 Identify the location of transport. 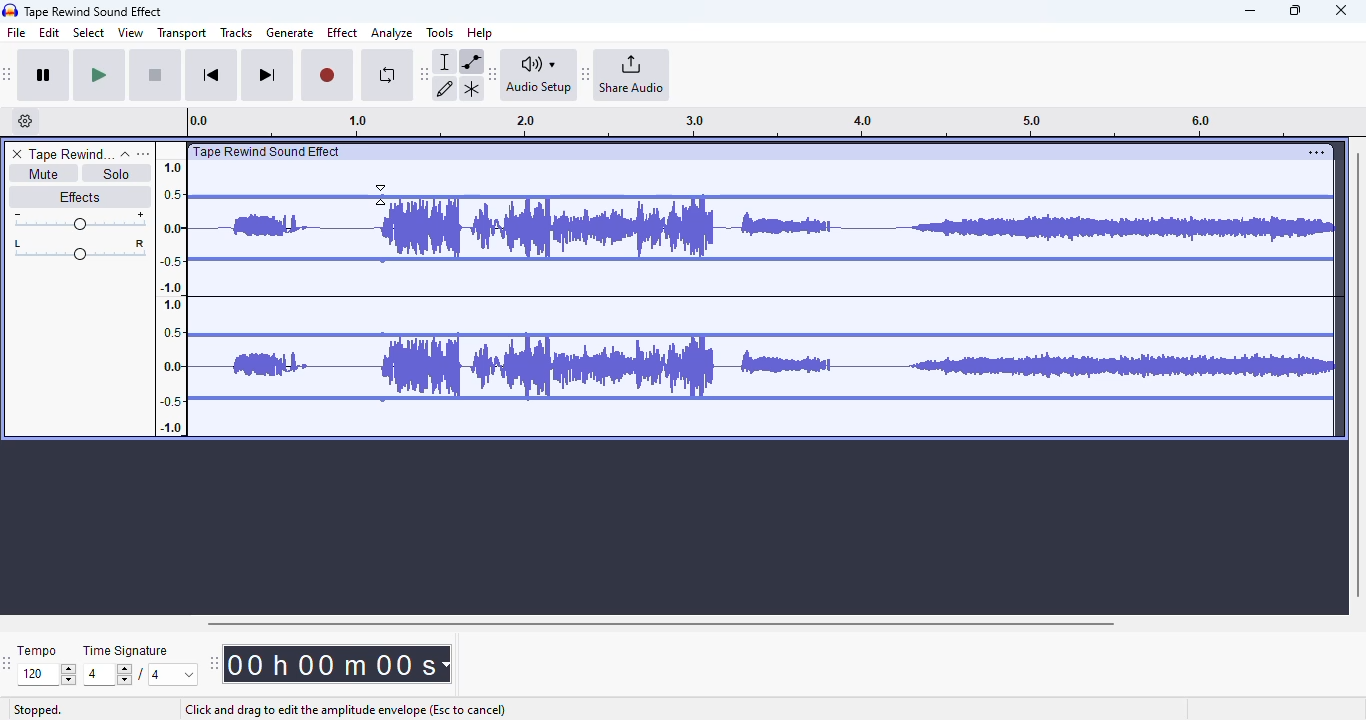
(183, 33).